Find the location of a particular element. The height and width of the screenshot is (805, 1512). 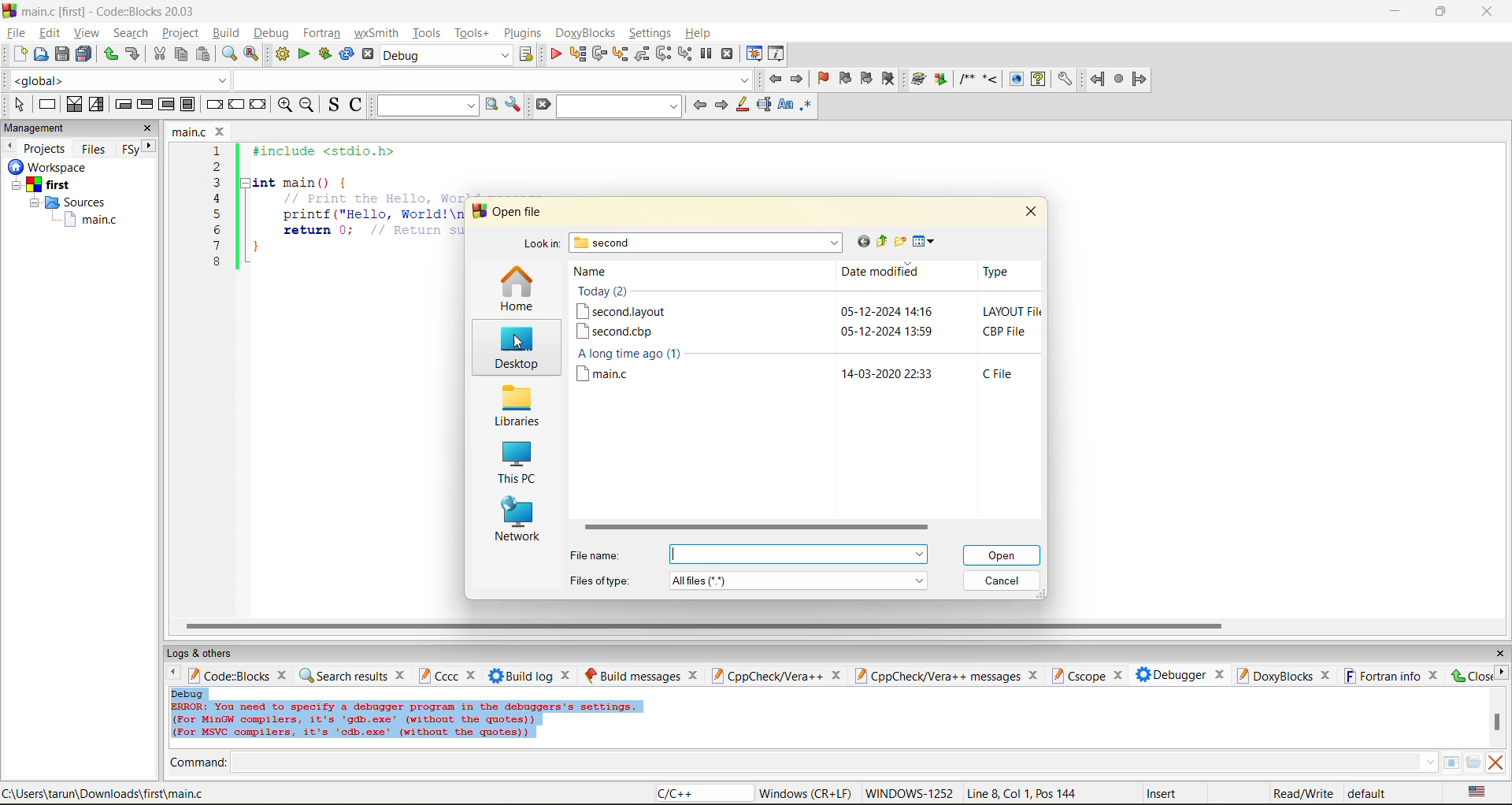

close is located at coordinates (284, 674).